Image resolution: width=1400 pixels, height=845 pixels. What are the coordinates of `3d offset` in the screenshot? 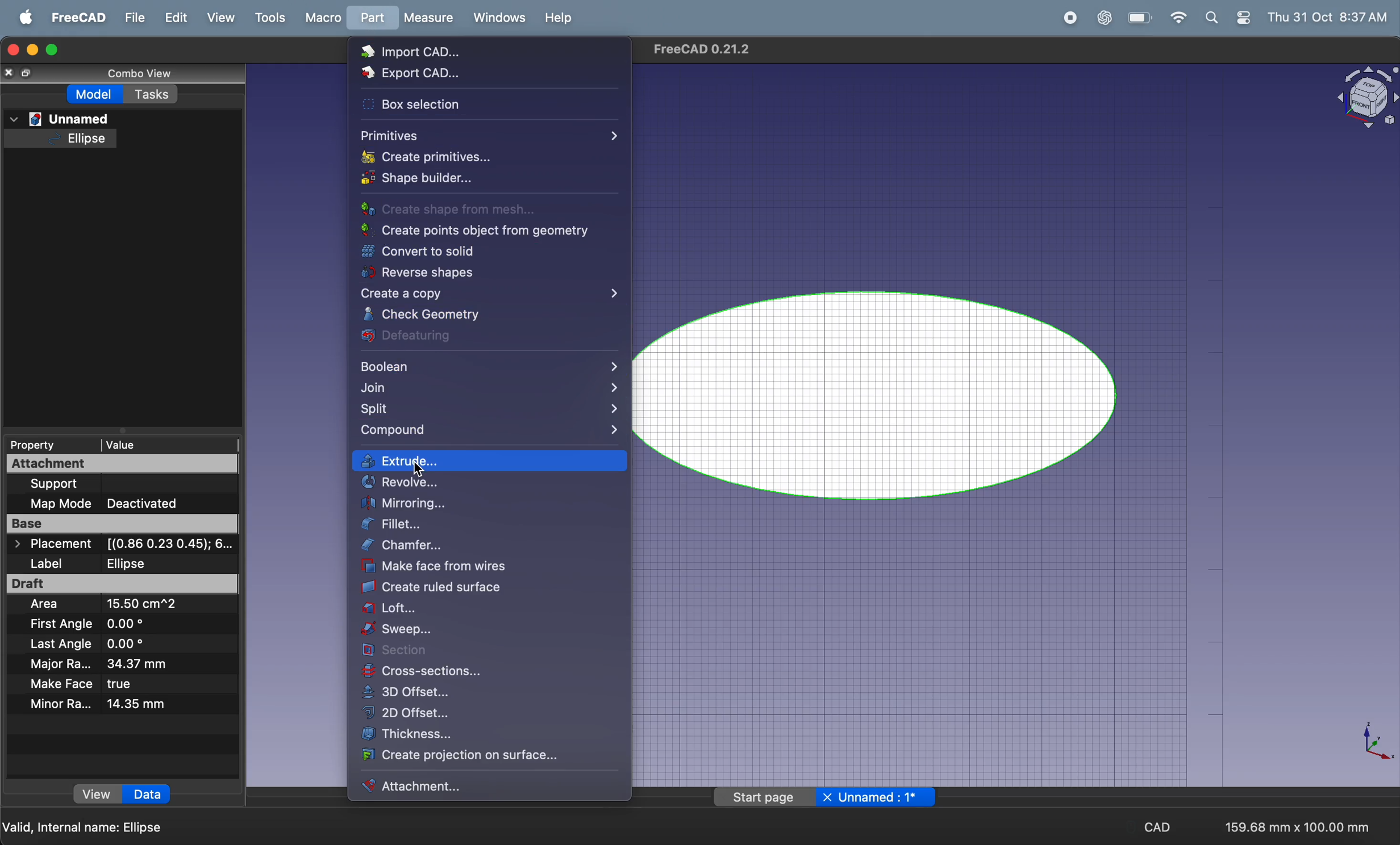 It's located at (423, 692).